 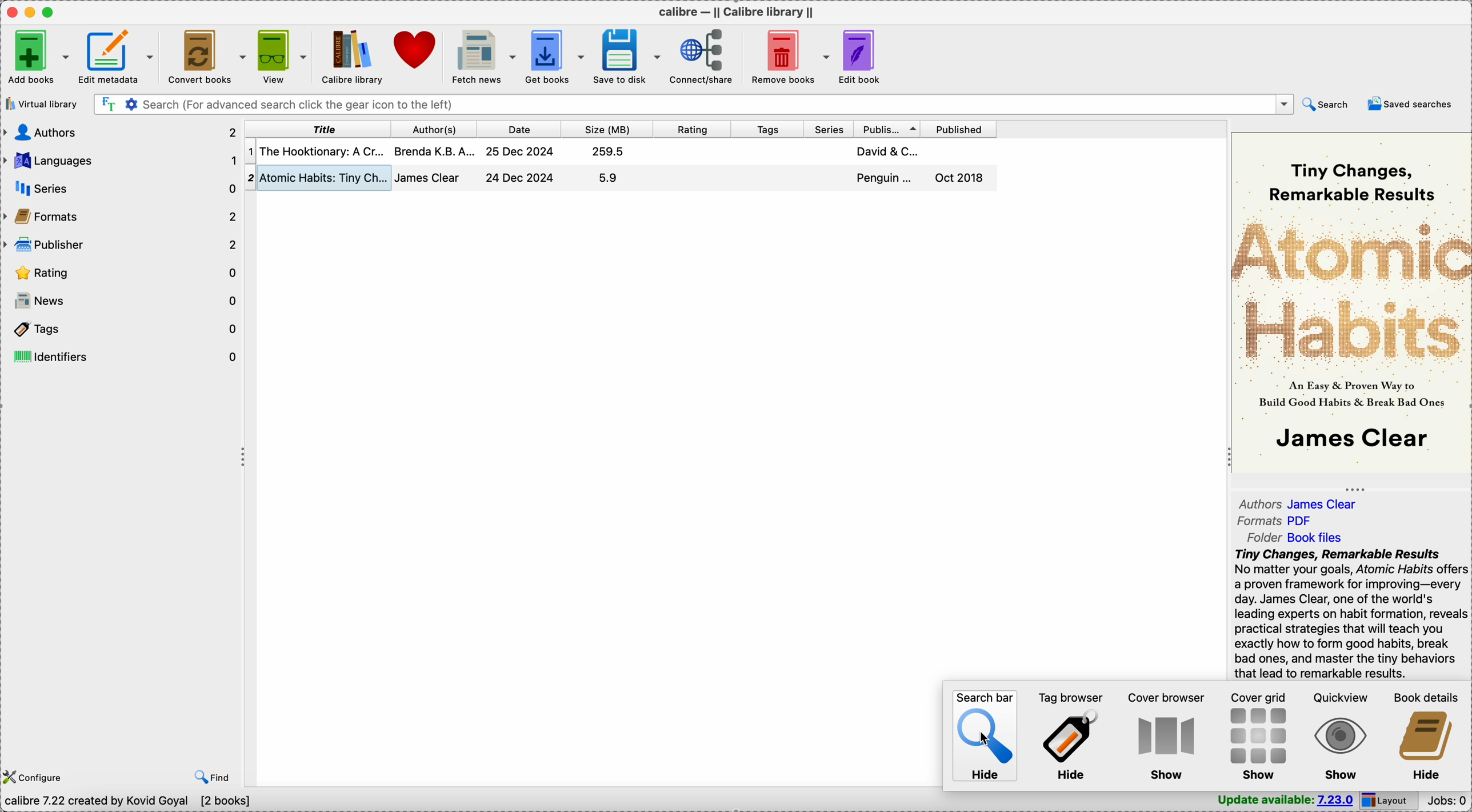 What do you see at coordinates (738, 12) in the screenshot?
I see `Calibre - || calibre library ||` at bounding box center [738, 12].